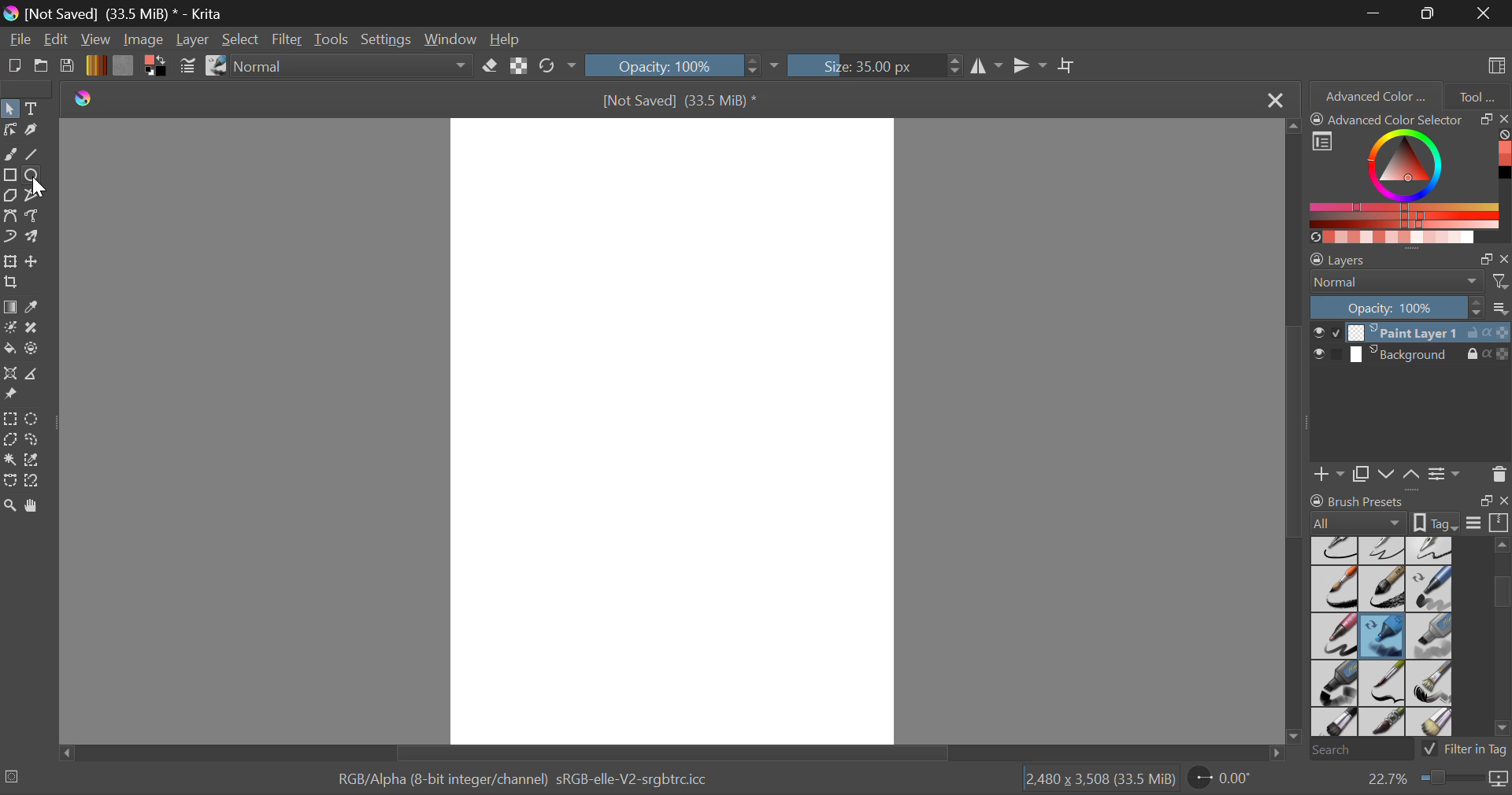  Describe the element at coordinates (36, 308) in the screenshot. I see `Eyedropper` at that location.